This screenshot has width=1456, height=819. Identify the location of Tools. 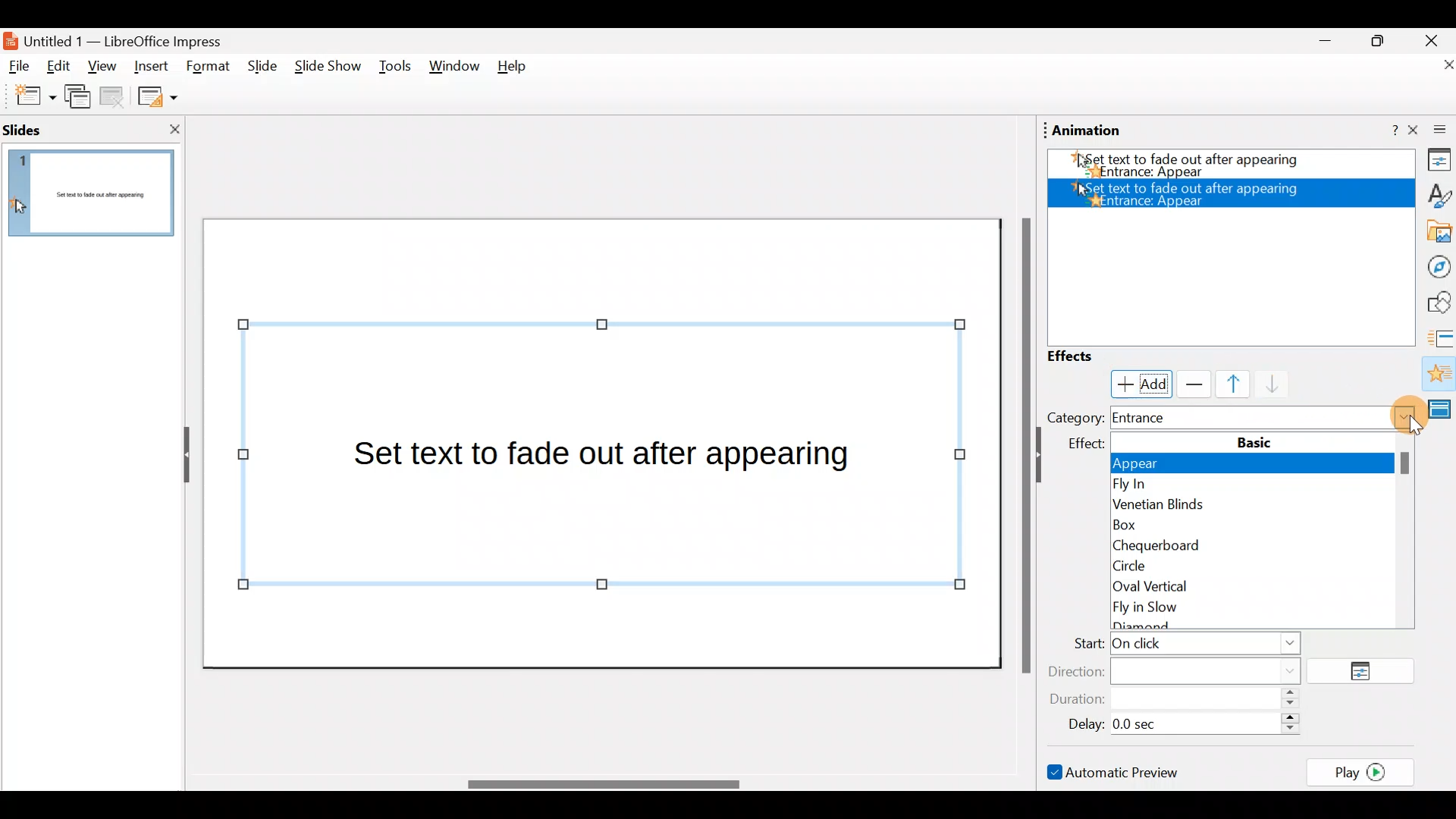
(395, 69).